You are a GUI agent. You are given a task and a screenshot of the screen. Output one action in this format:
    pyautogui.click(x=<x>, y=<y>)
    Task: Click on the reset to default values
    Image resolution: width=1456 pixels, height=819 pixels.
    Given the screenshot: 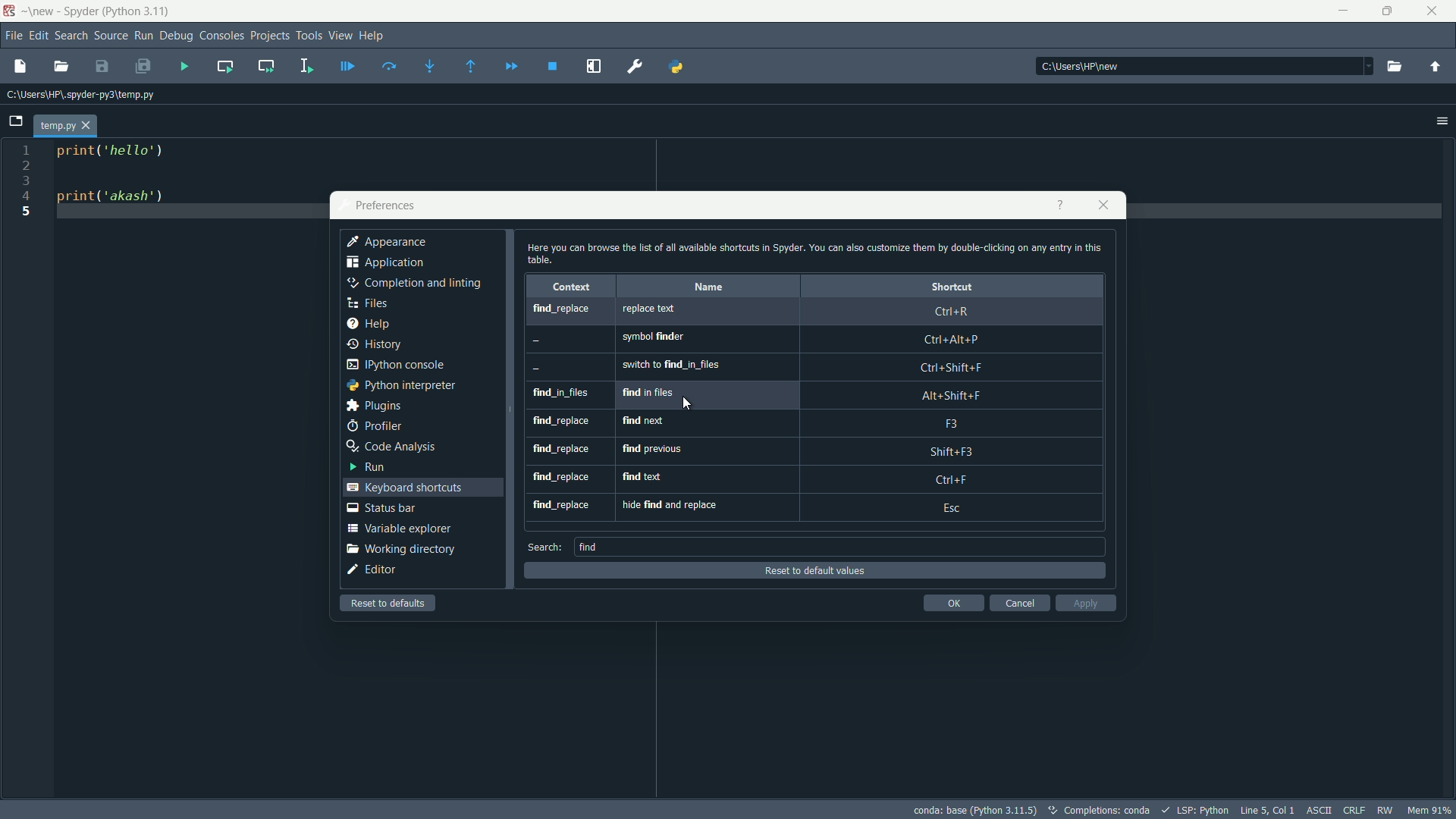 What is the action you would take?
    pyautogui.click(x=817, y=571)
    